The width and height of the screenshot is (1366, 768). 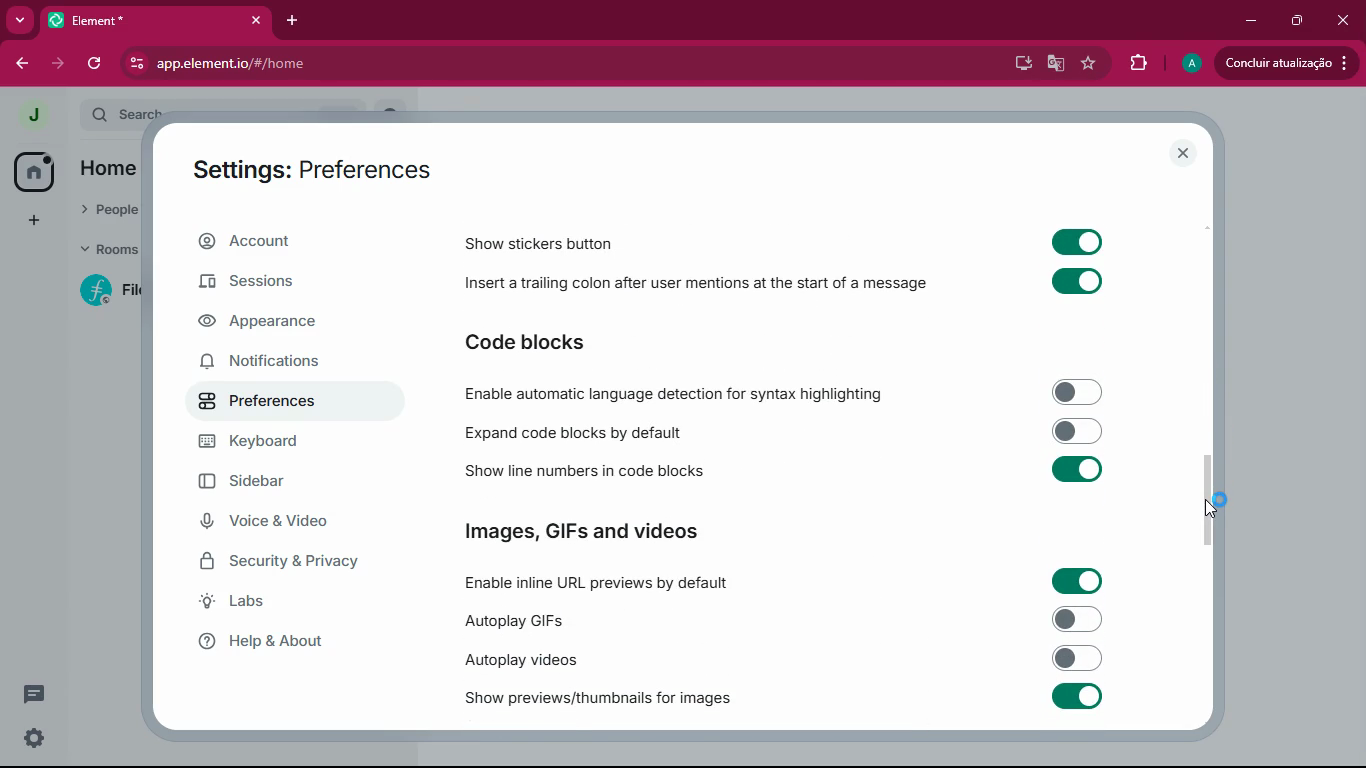 I want to click on Enable inline URL previews by default, so click(x=597, y=585).